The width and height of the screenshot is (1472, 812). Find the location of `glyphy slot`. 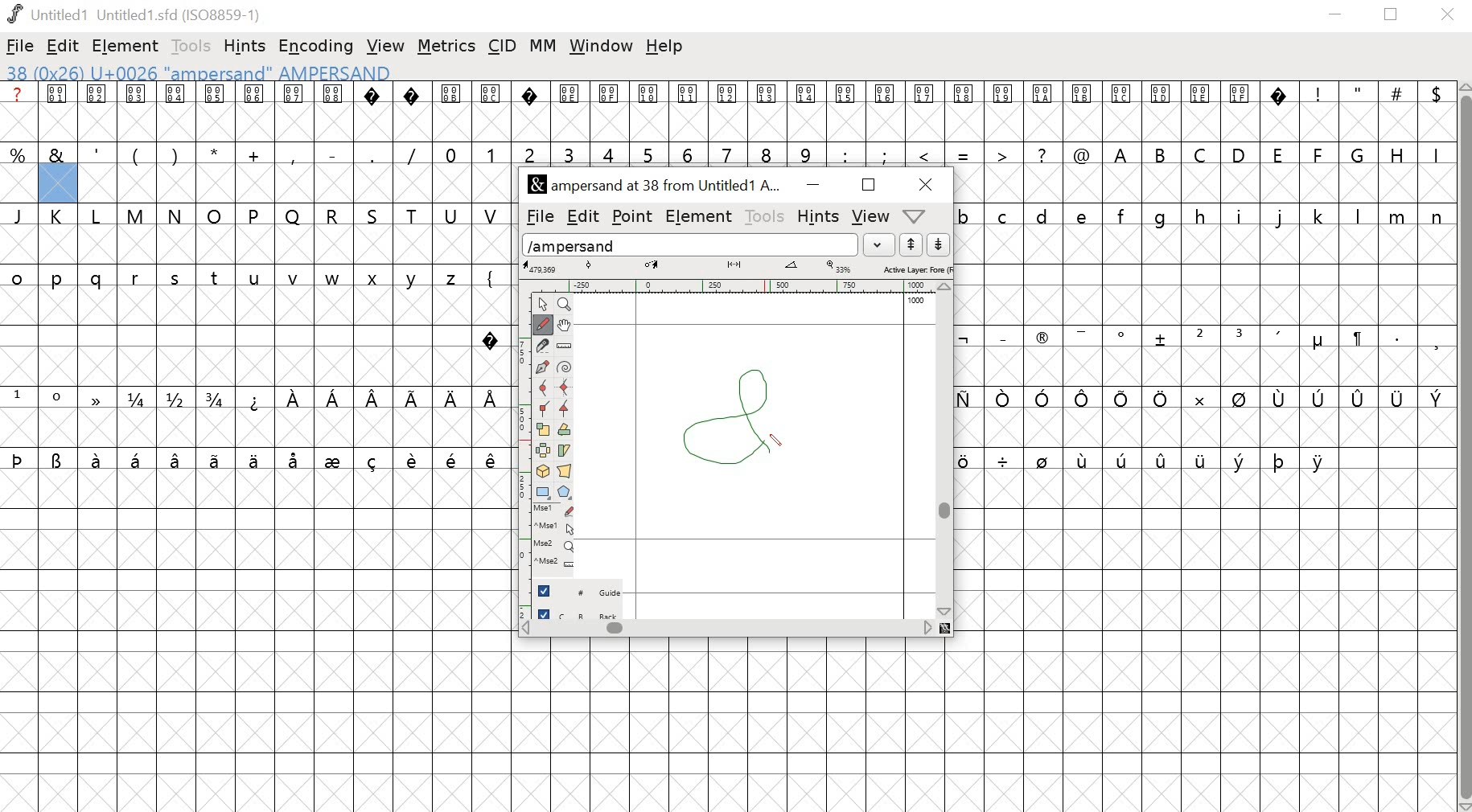

glyphy slot is located at coordinates (58, 184).